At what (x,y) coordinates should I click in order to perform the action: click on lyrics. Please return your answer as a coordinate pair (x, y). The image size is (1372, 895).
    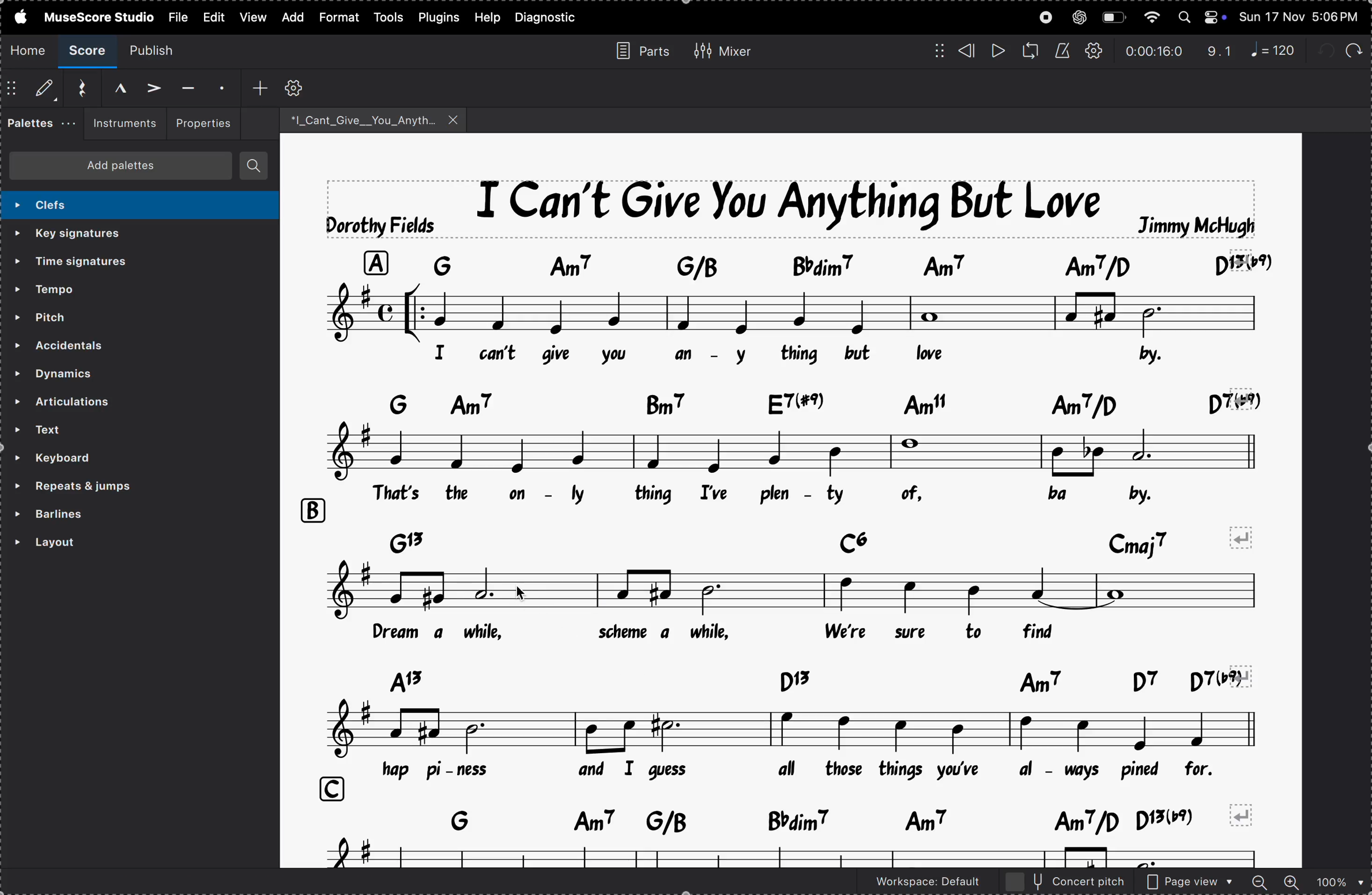
    Looking at the image, I should click on (699, 354).